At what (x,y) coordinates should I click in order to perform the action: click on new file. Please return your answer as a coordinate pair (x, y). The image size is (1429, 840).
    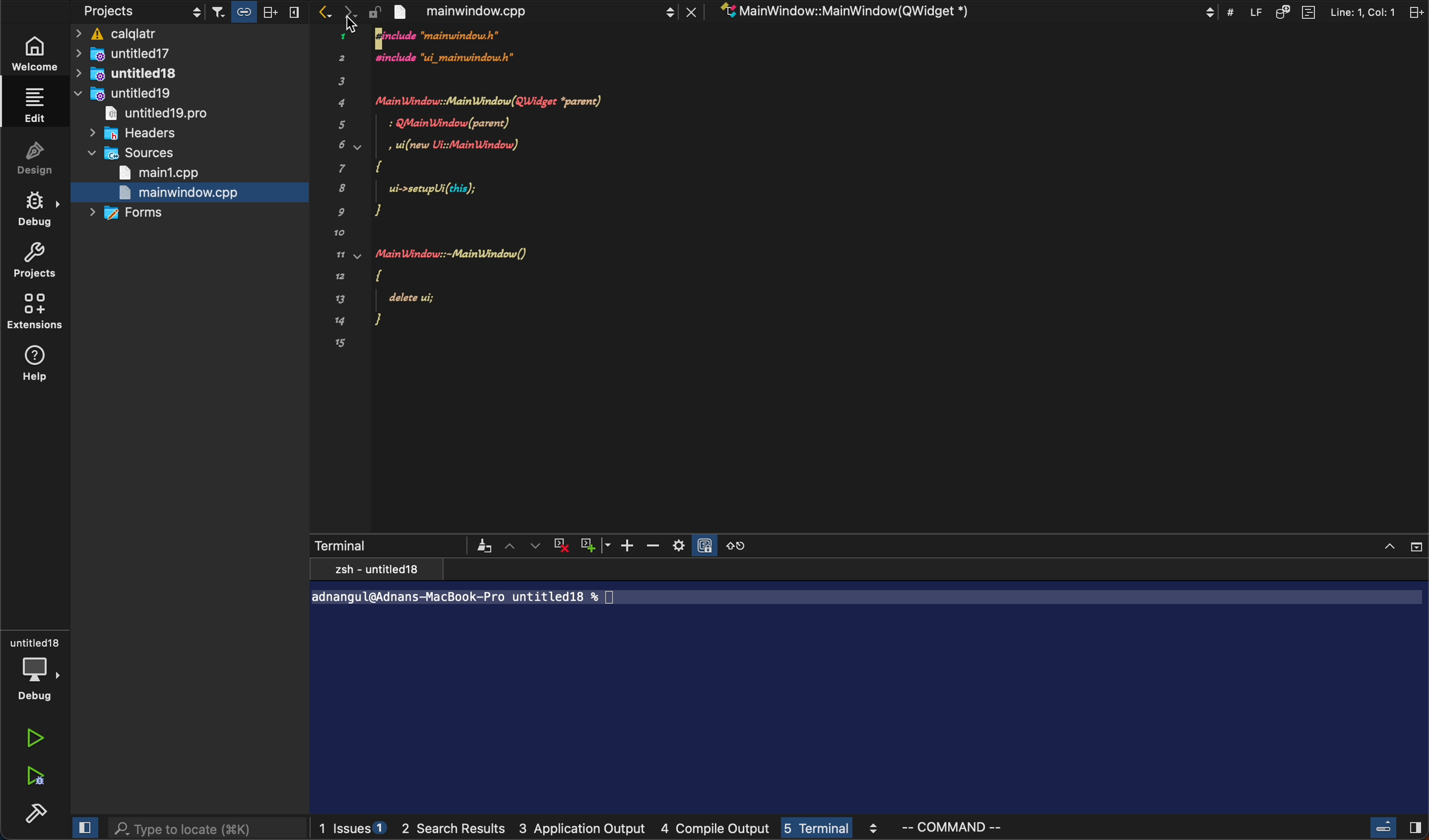
    Looking at the image, I should click on (469, 196).